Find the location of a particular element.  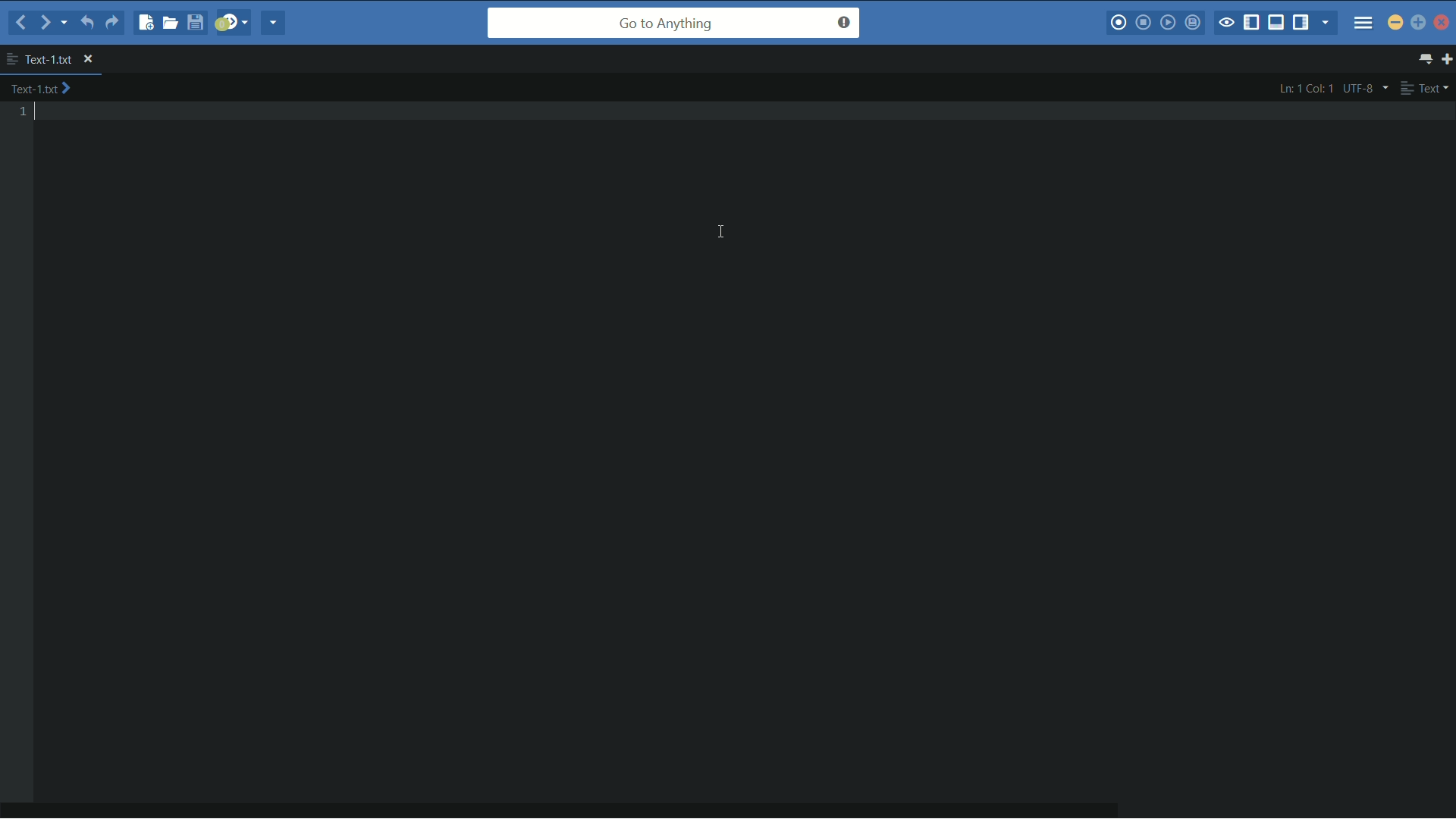

horizontal scroll bar is located at coordinates (576, 810).